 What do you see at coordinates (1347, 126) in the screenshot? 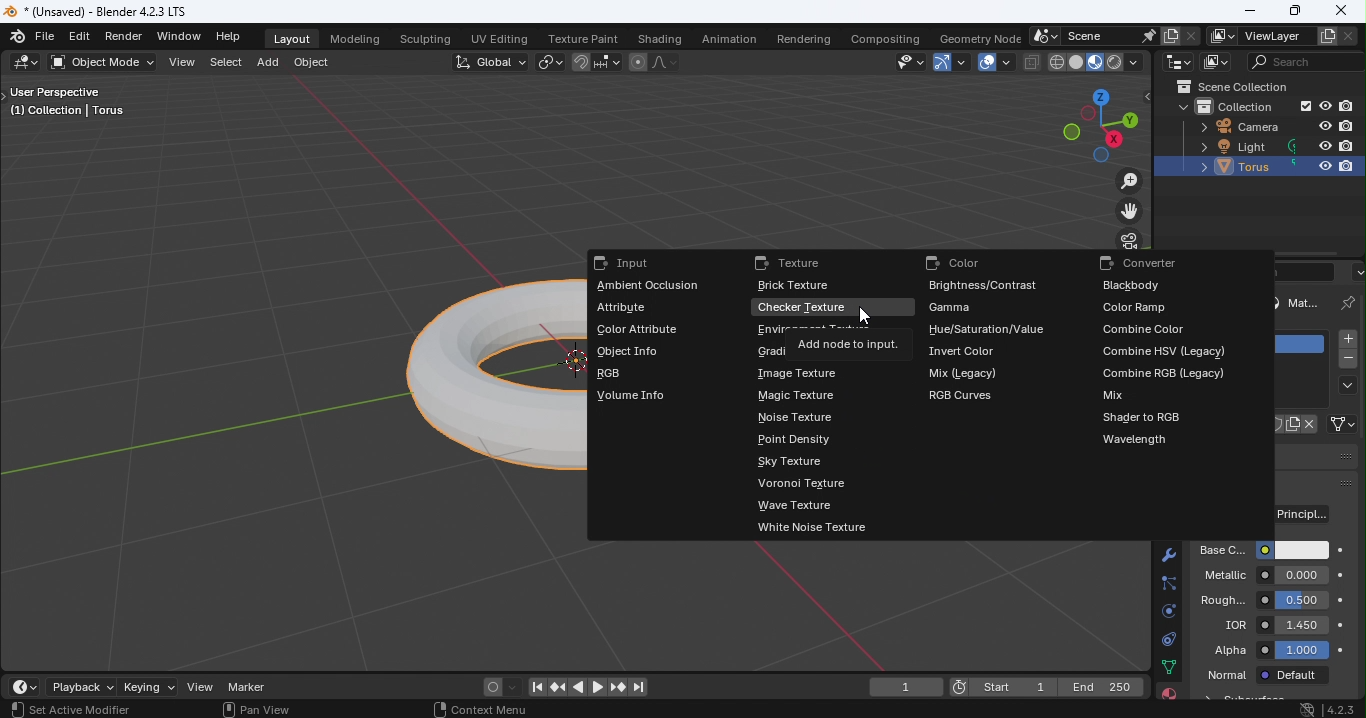
I see `Disable in renders` at bounding box center [1347, 126].